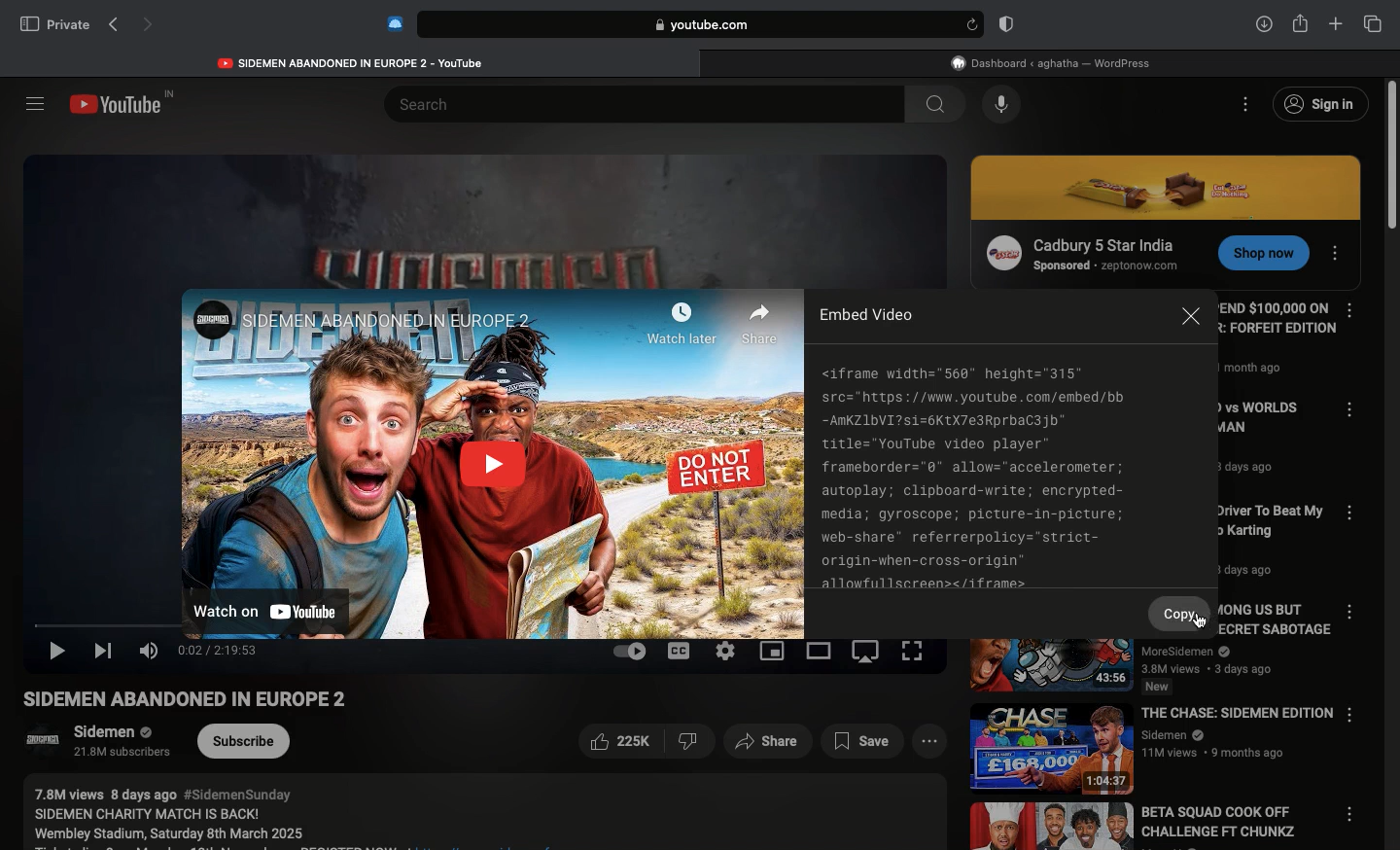 The height and width of the screenshot is (850, 1400). Describe the element at coordinates (681, 651) in the screenshot. I see `Subtitles` at that location.